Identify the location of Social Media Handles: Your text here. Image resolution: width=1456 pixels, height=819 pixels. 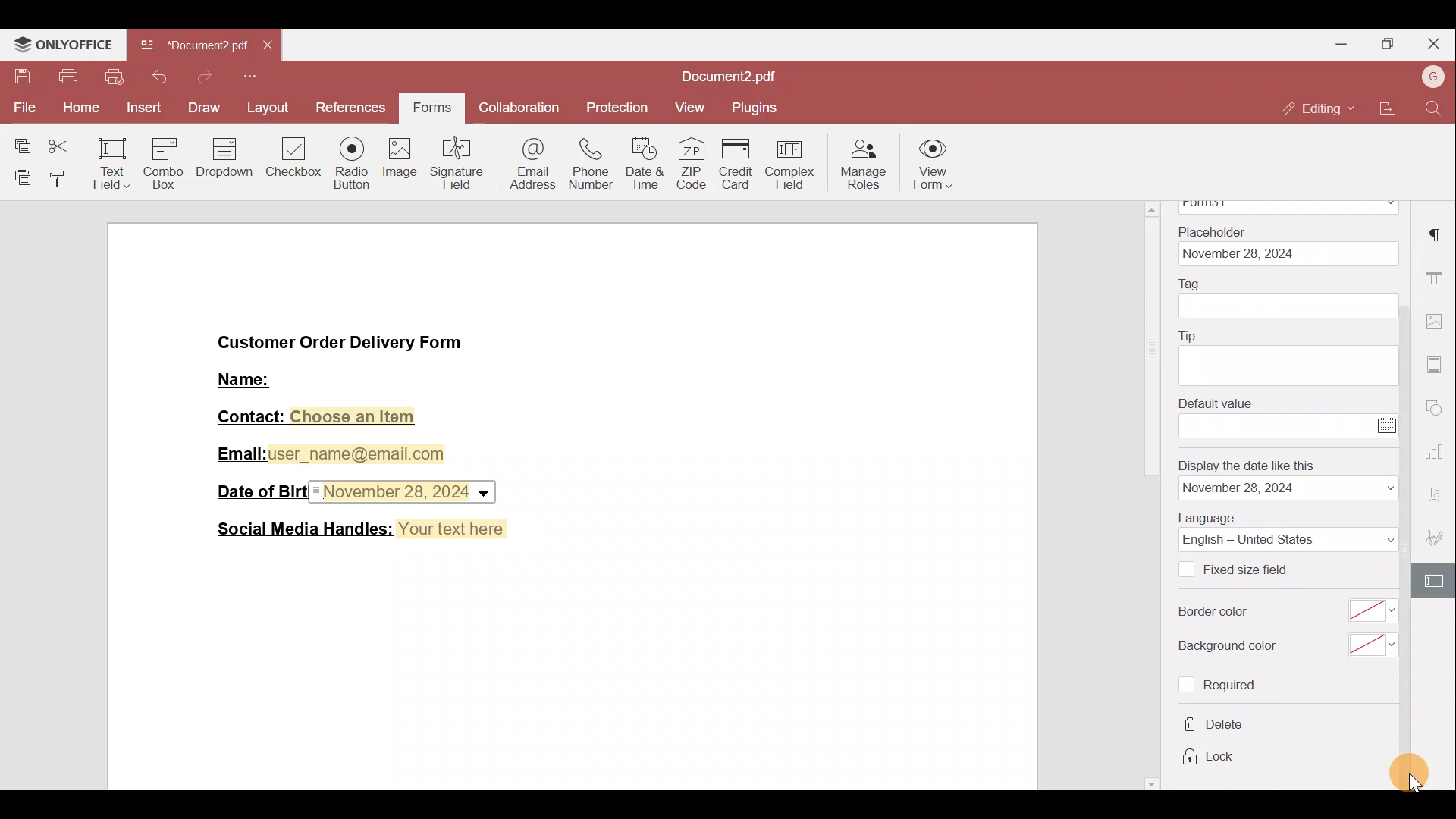
(362, 528).